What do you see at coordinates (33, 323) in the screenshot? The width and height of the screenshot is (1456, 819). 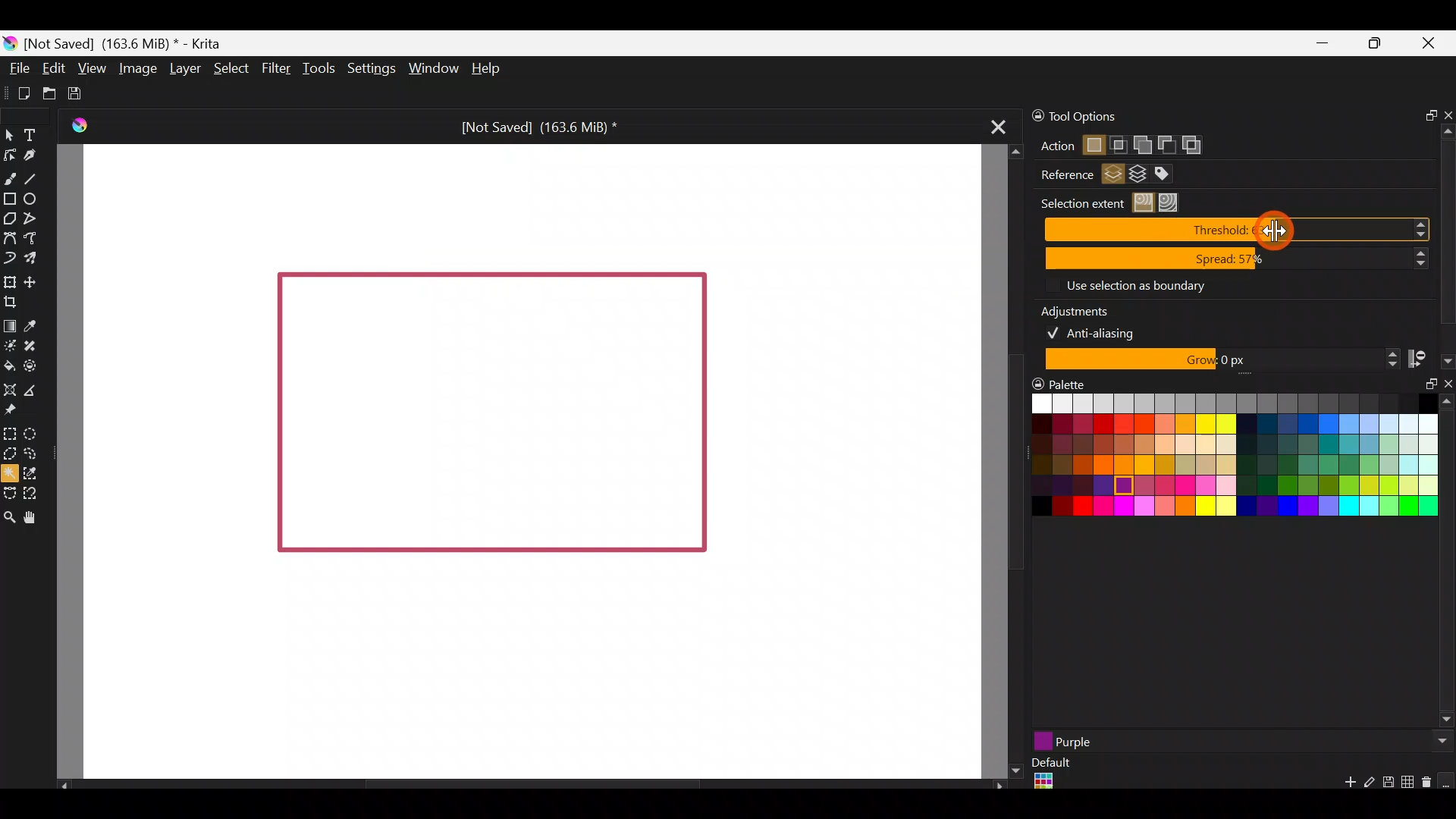 I see `Sample a colour from the image/current layer` at bounding box center [33, 323].